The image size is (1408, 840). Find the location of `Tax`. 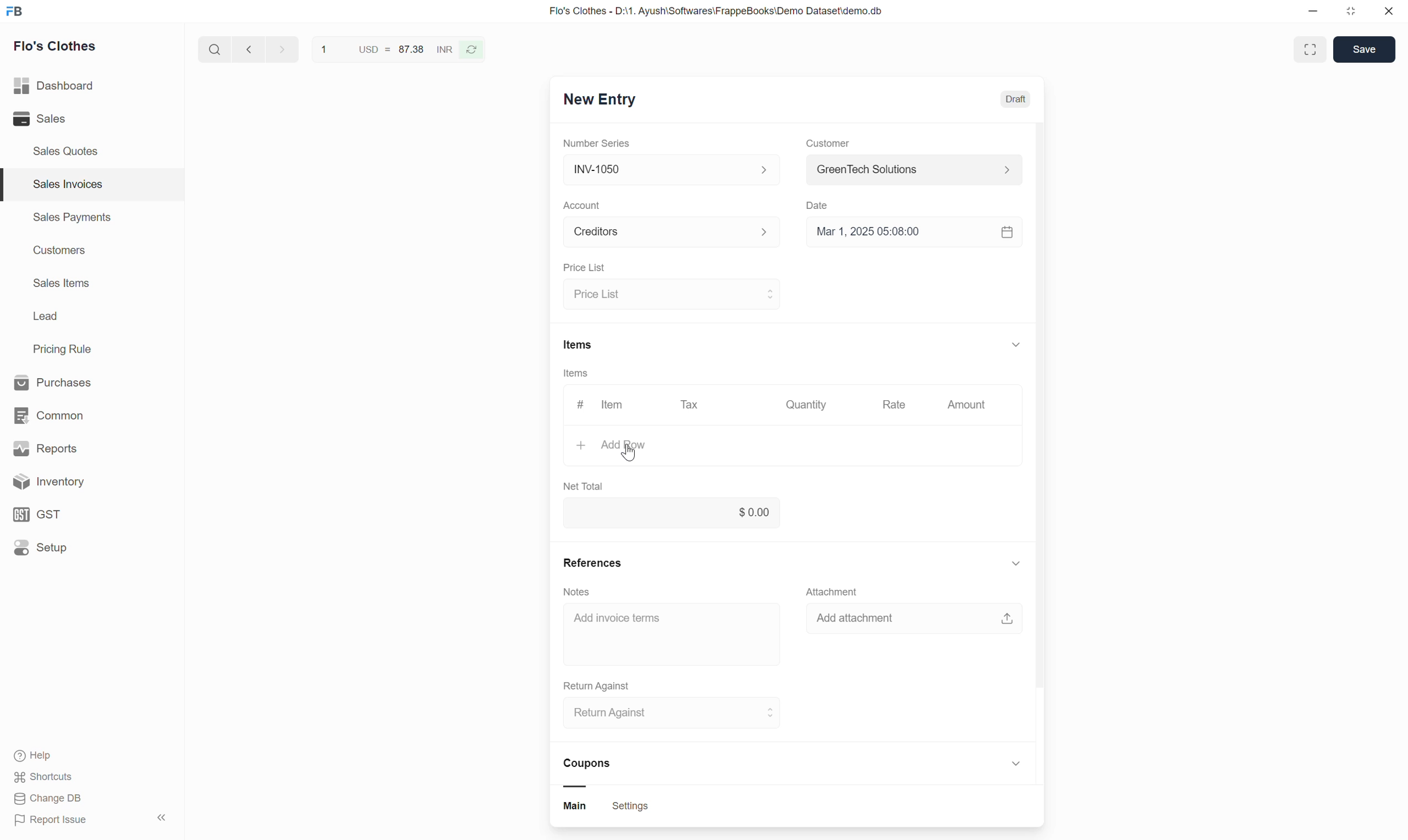

Tax is located at coordinates (691, 408).